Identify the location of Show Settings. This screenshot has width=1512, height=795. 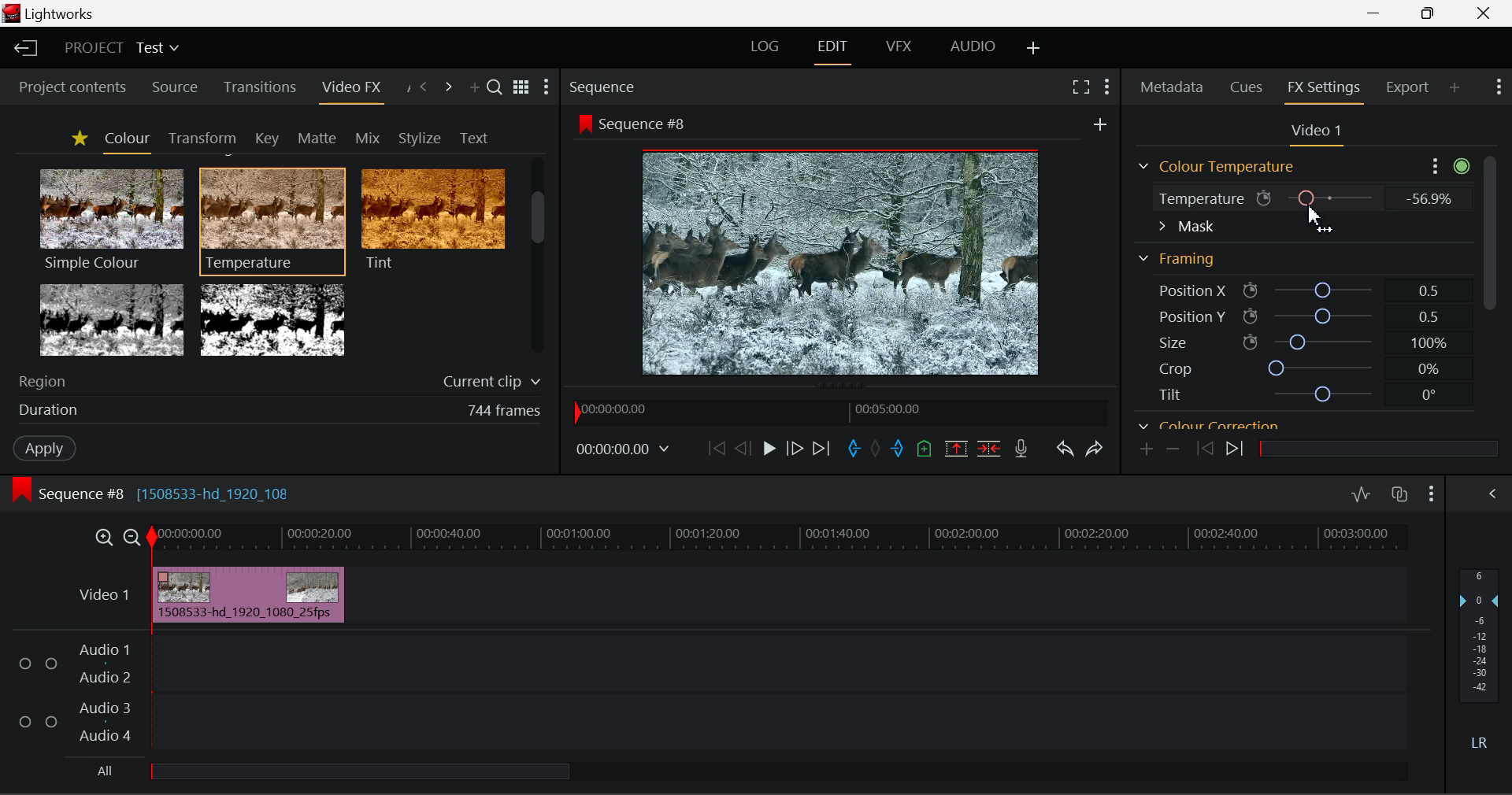
(1499, 90).